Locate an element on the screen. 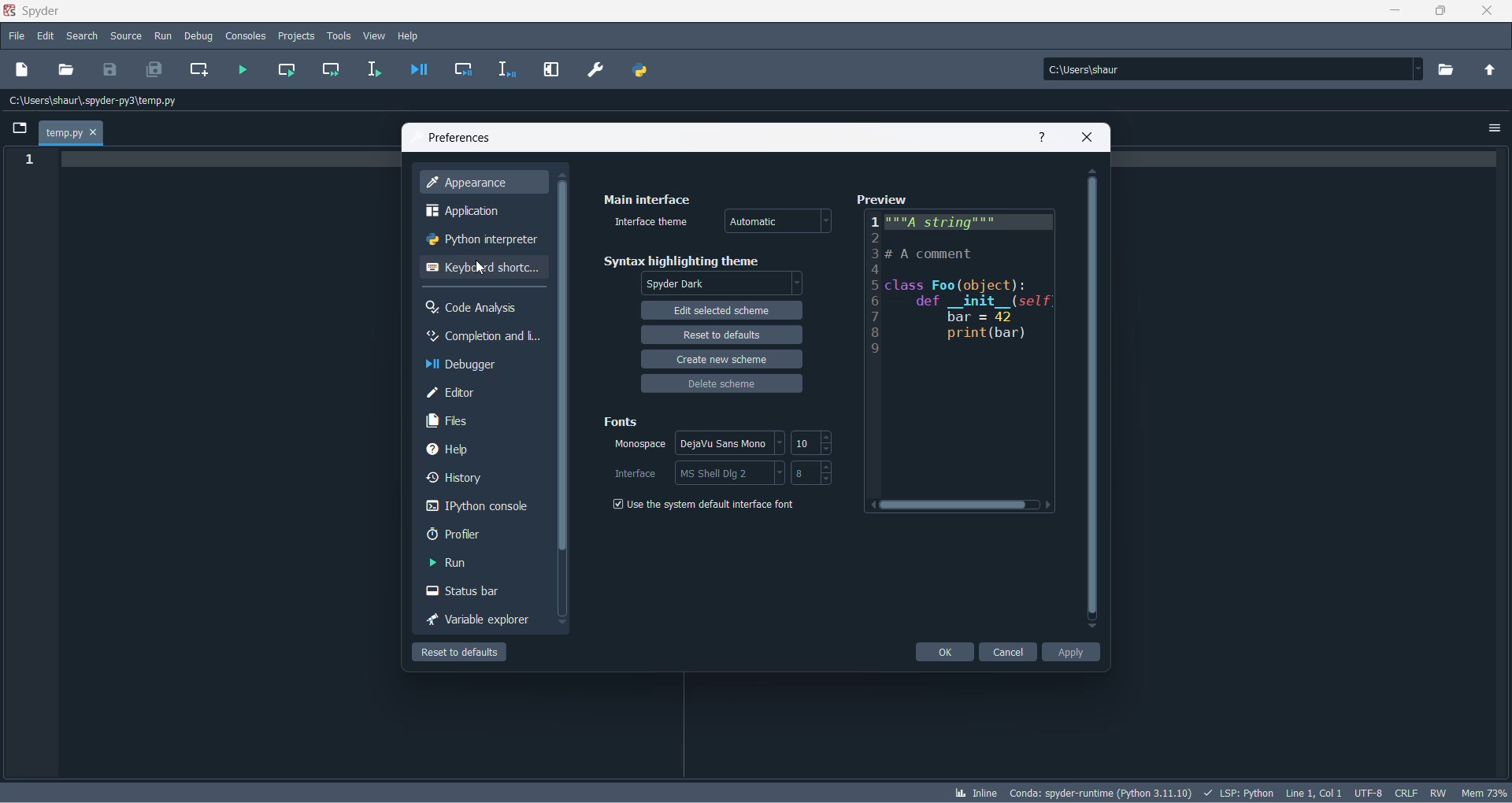 The image size is (1512, 803). debug cell is located at coordinates (465, 70).